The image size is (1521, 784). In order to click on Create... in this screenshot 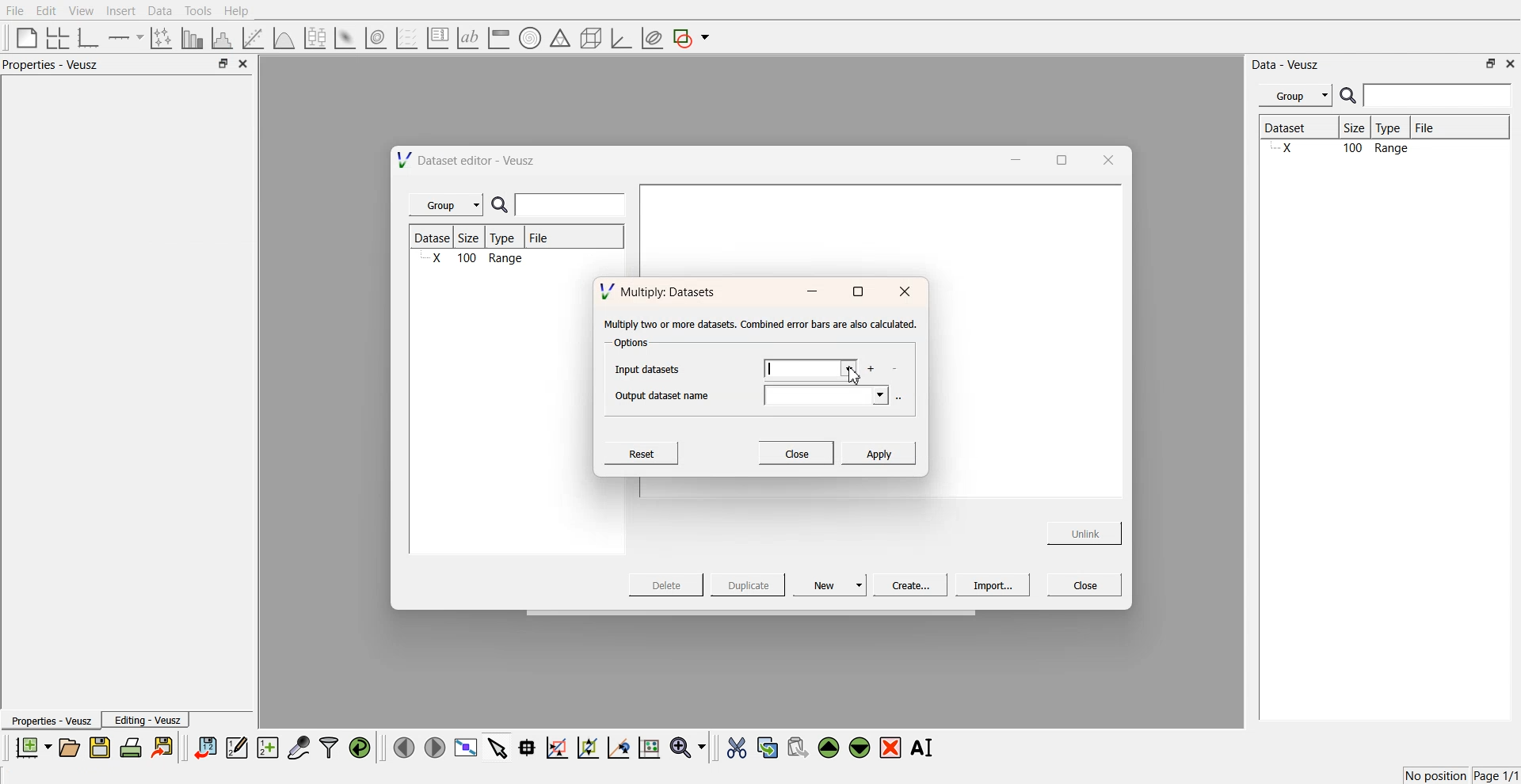, I will do `click(908, 584)`.